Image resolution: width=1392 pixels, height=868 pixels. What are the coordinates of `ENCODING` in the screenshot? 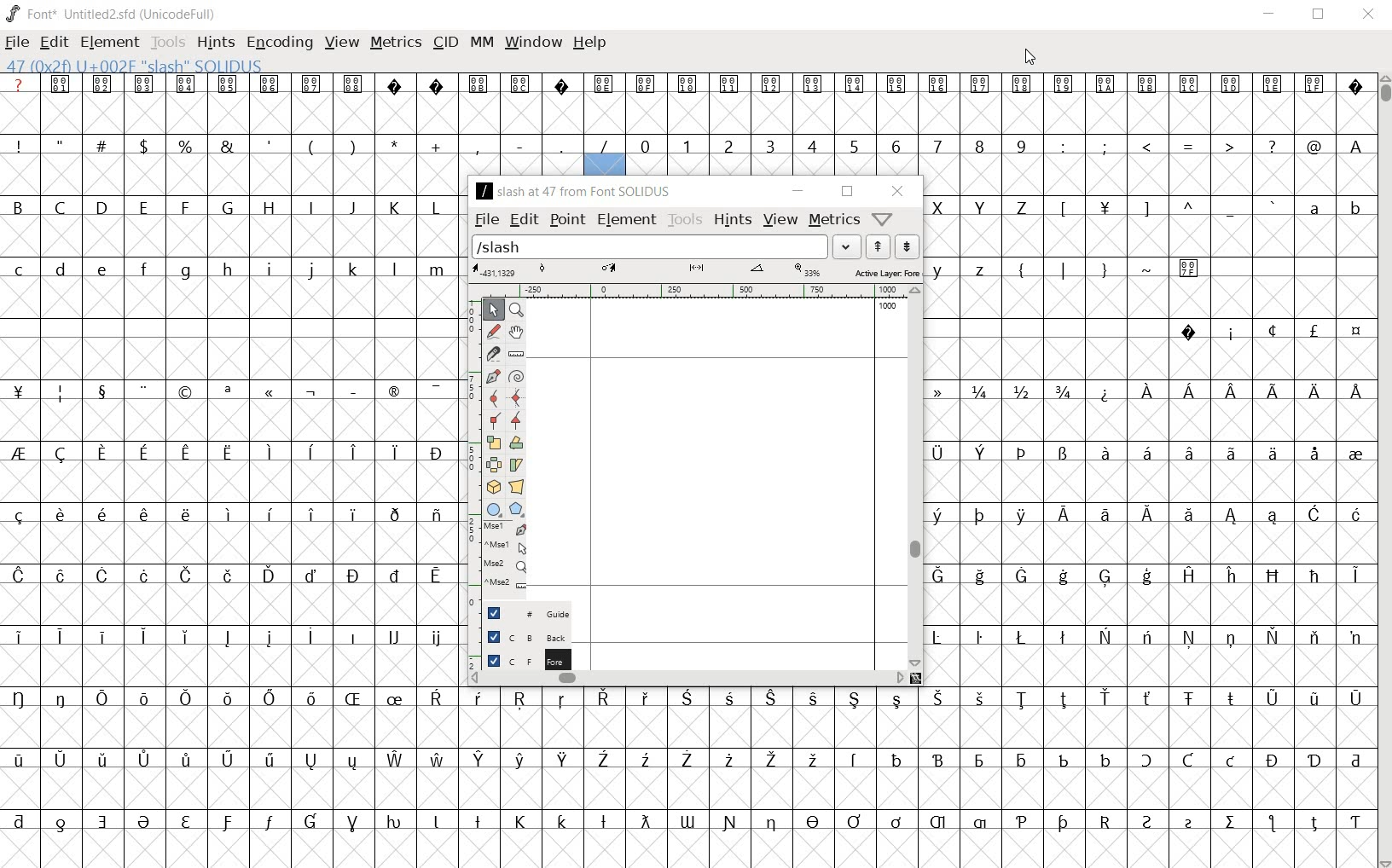 It's located at (279, 43).